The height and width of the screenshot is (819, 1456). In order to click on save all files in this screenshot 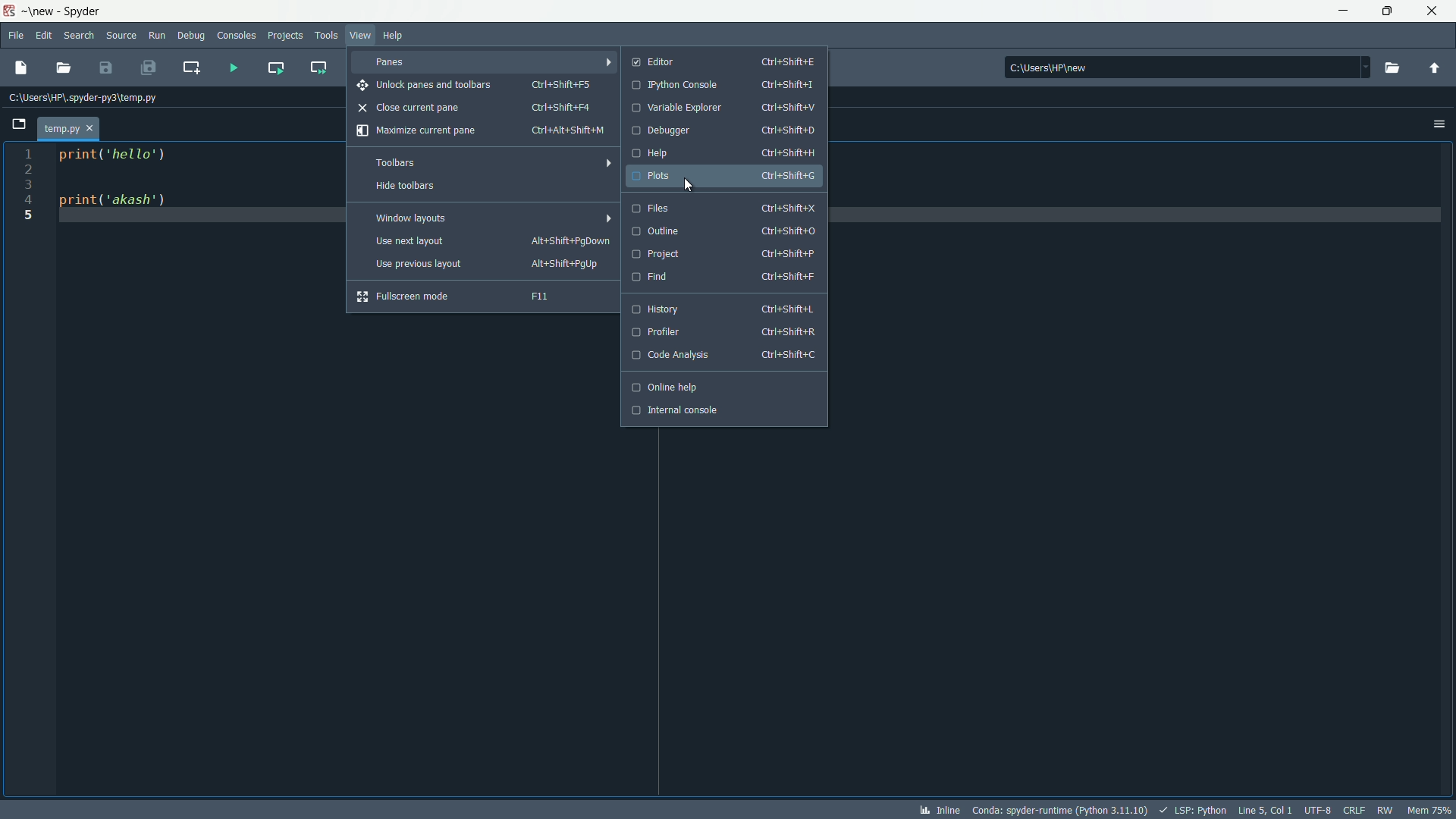, I will do `click(148, 67)`.